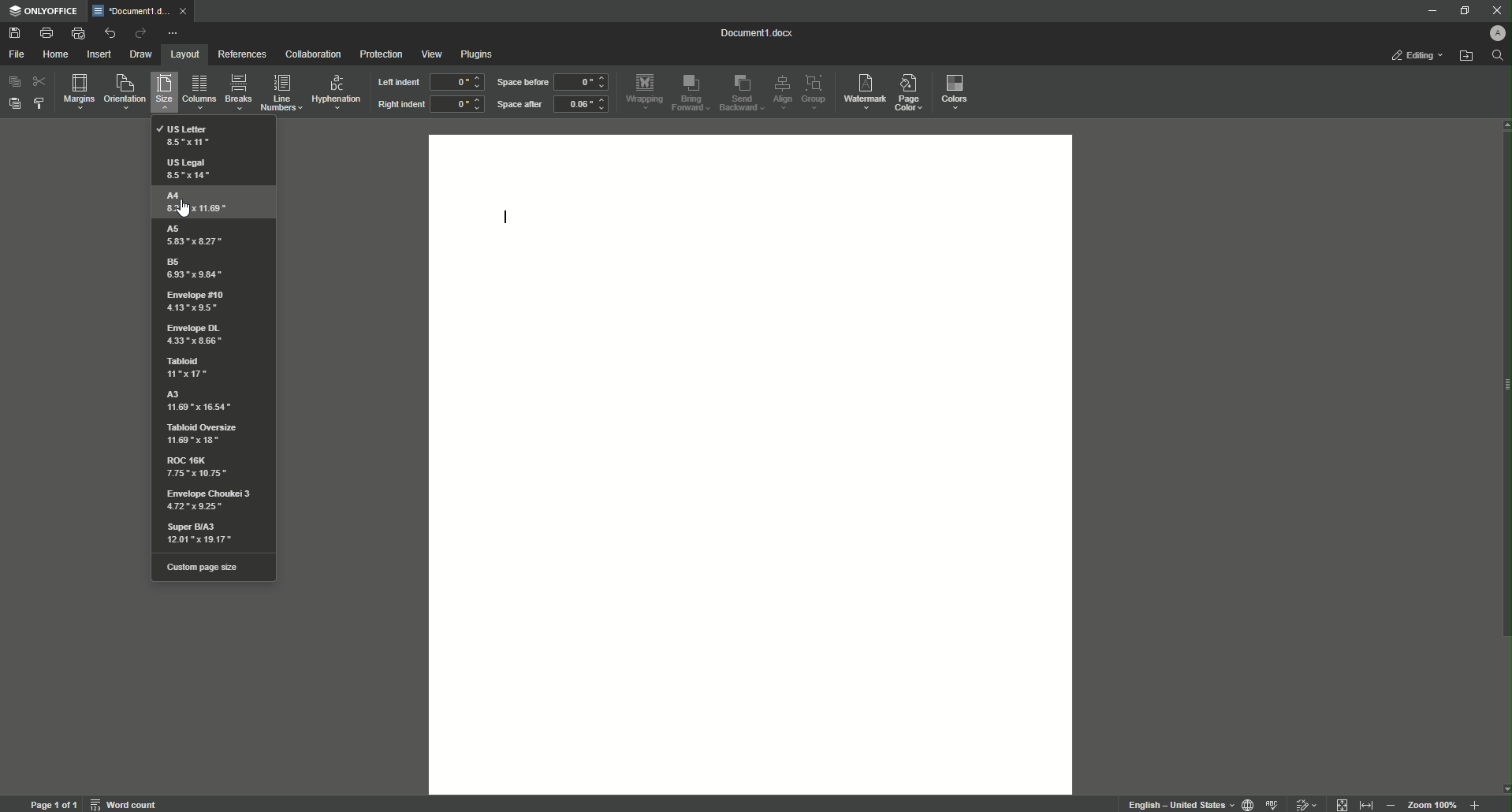 This screenshot has height=812, width=1512. What do you see at coordinates (1173, 802) in the screenshot?
I see `English - United States` at bounding box center [1173, 802].